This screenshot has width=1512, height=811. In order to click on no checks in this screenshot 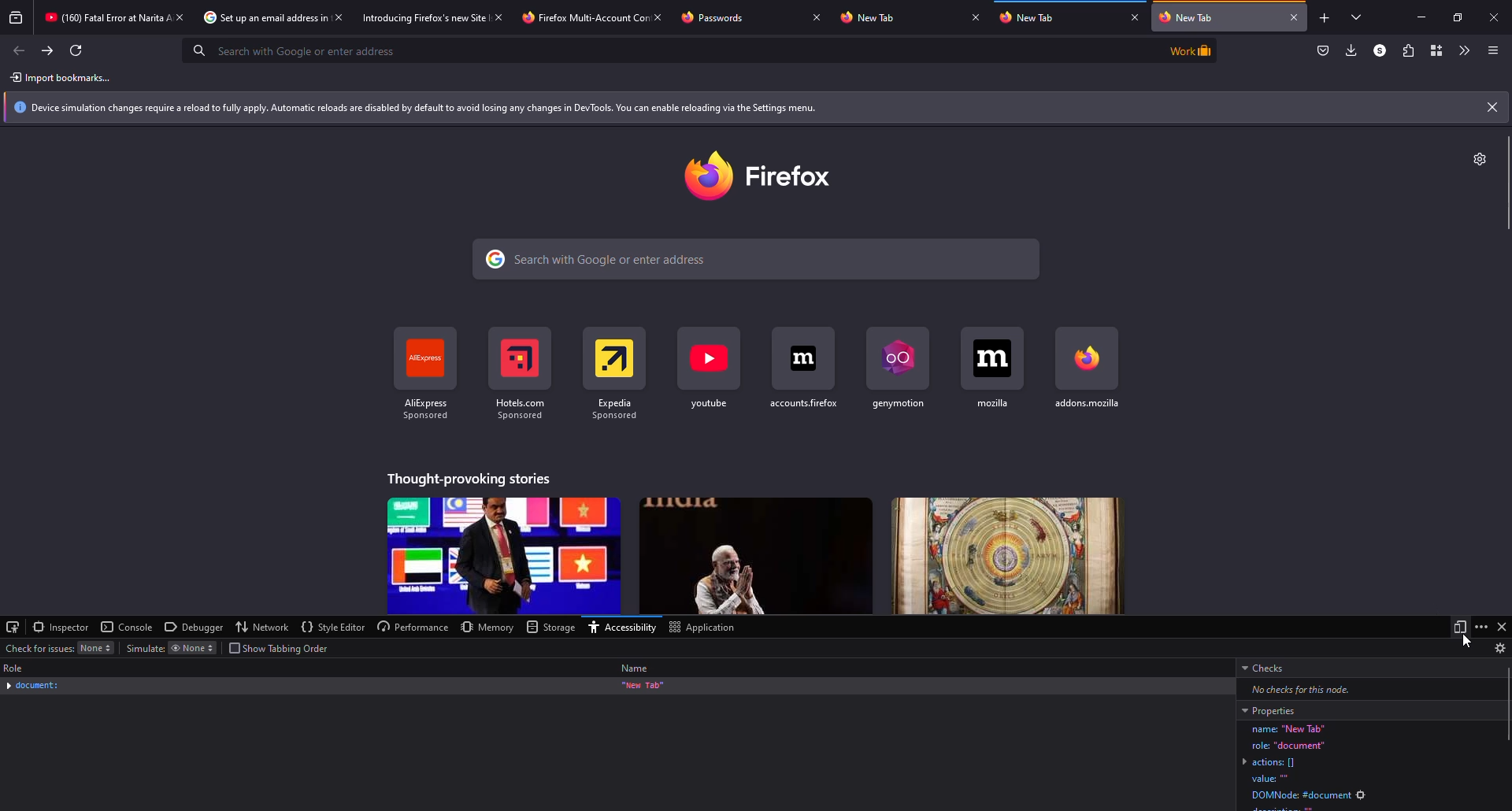, I will do `click(1295, 689)`.